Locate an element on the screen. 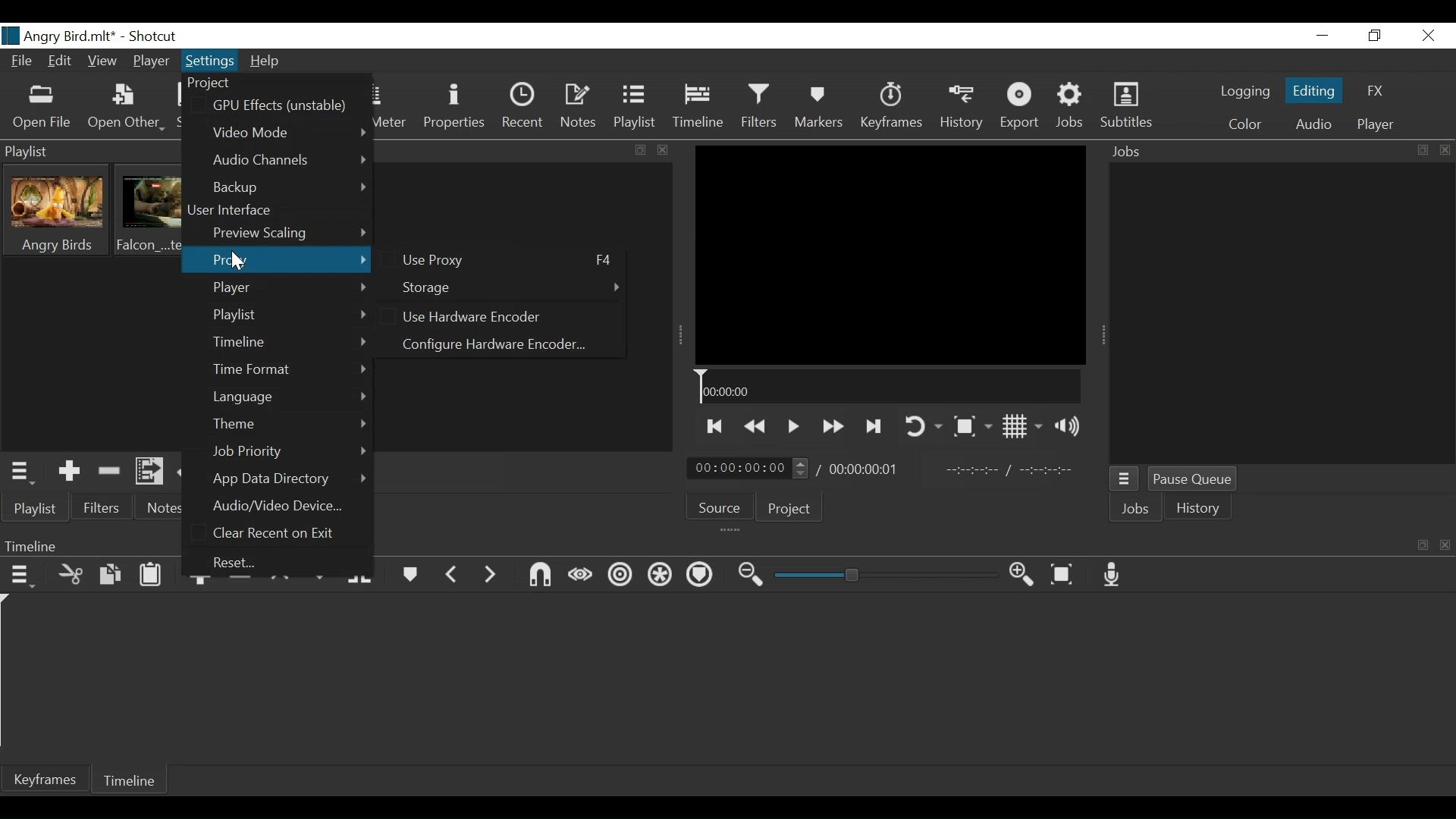 The image size is (1456, 819). Source is located at coordinates (721, 507).